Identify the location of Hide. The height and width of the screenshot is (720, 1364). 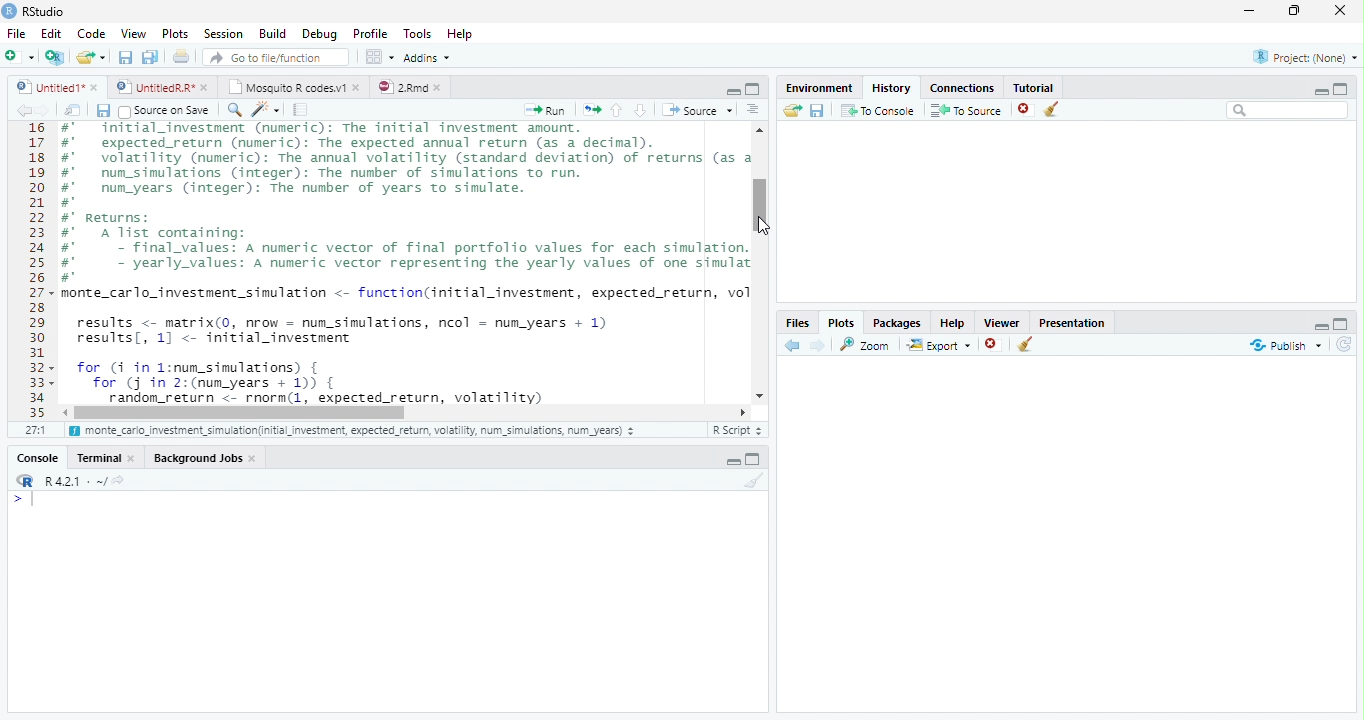
(1319, 324).